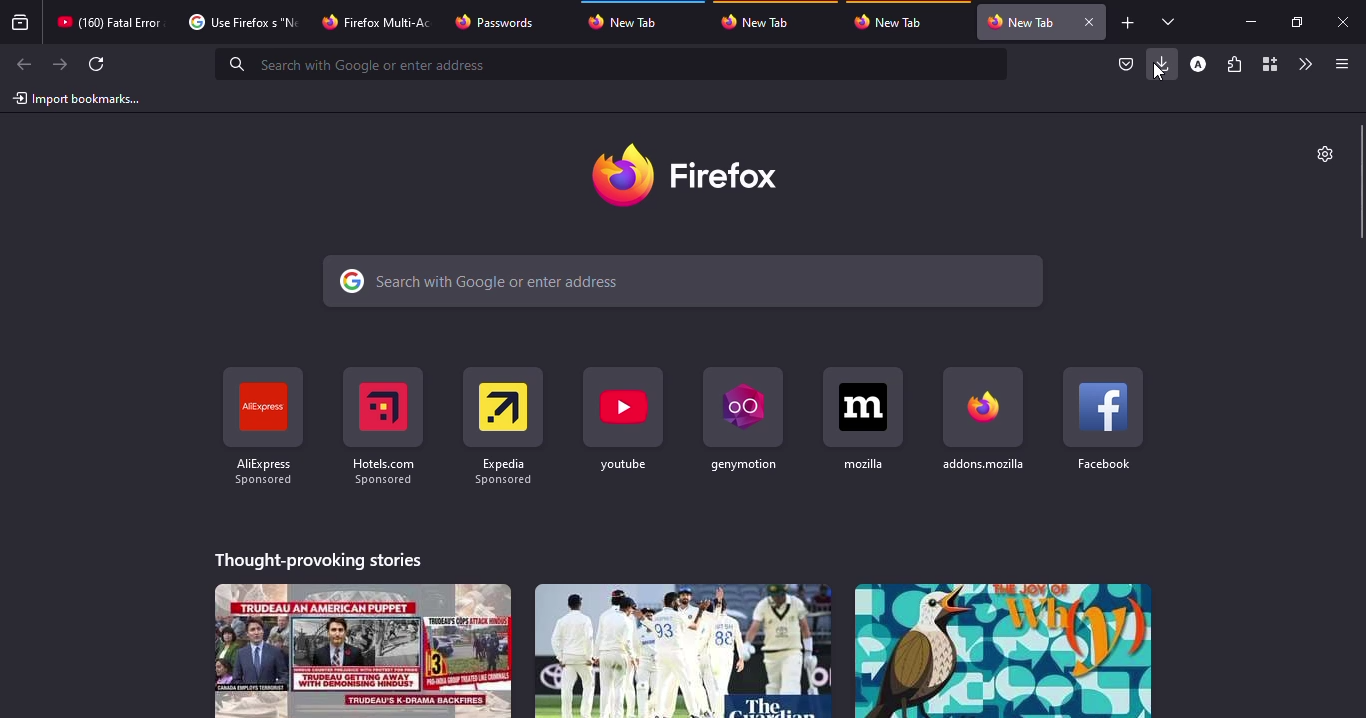 The image size is (1366, 718). I want to click on maximize, so click(1295, 22).